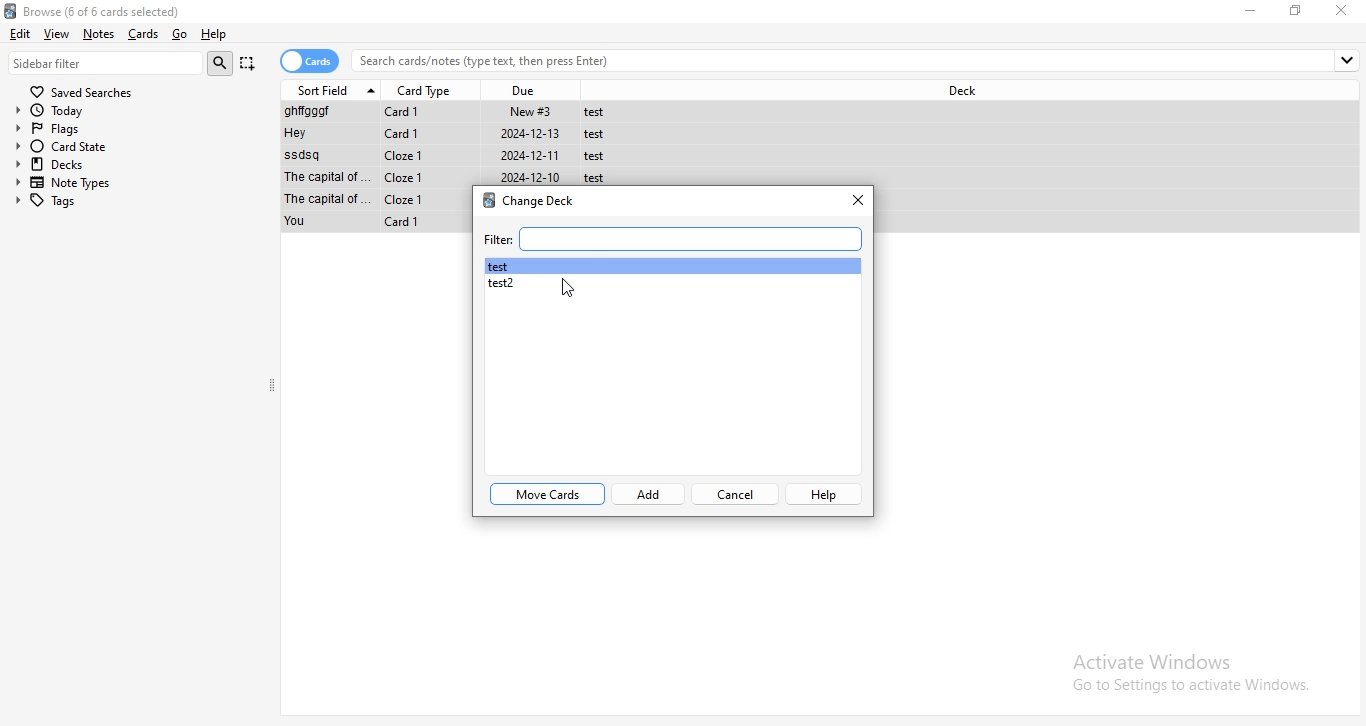  Describe the element at coordinates (81, 91) in the screenshot. I see `saved searches` at that location.